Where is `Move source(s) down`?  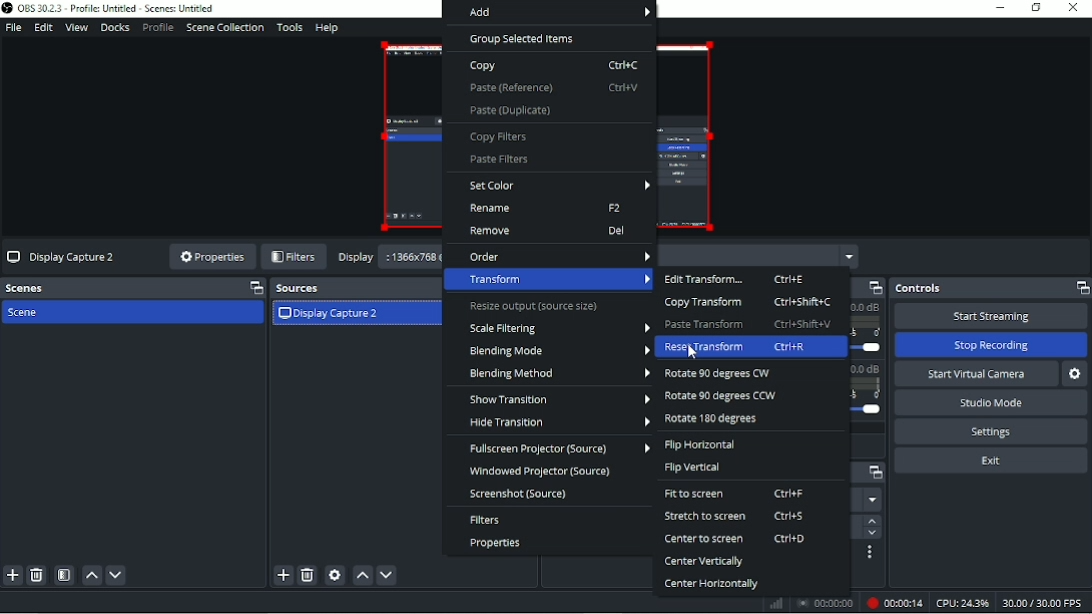
Move source(s) down is located at coordinates (387, 576).